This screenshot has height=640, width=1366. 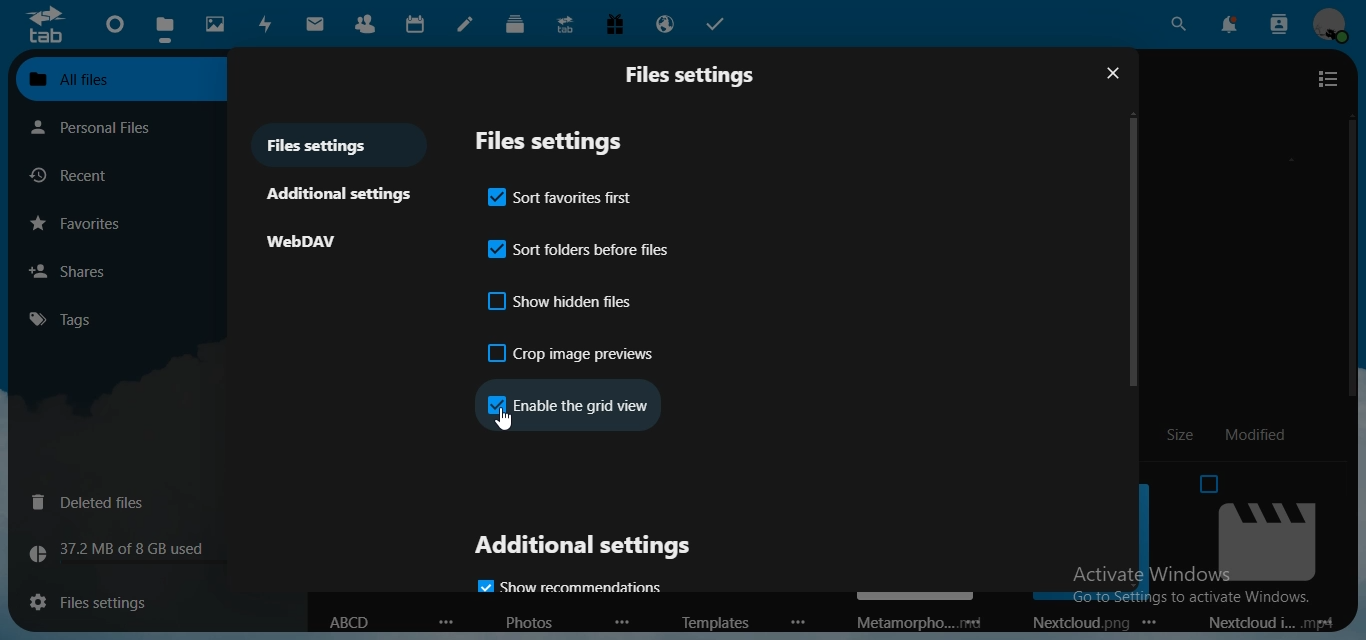 I want to click on more options, so click(x=622, y=623).